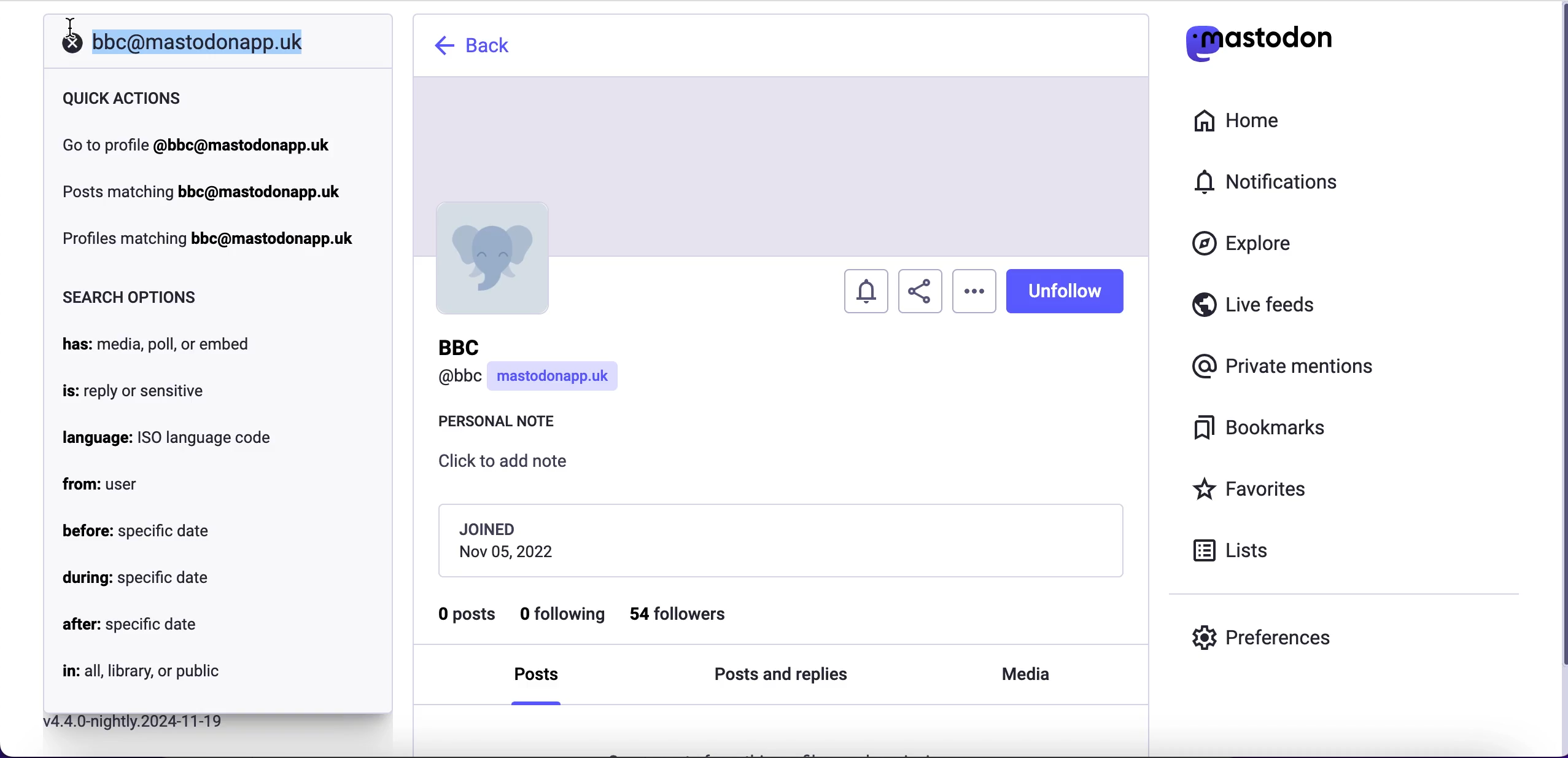  What do you see at coordinates (71, 49) in the screenshot?
I see `close` at bounding box center [71, 49].